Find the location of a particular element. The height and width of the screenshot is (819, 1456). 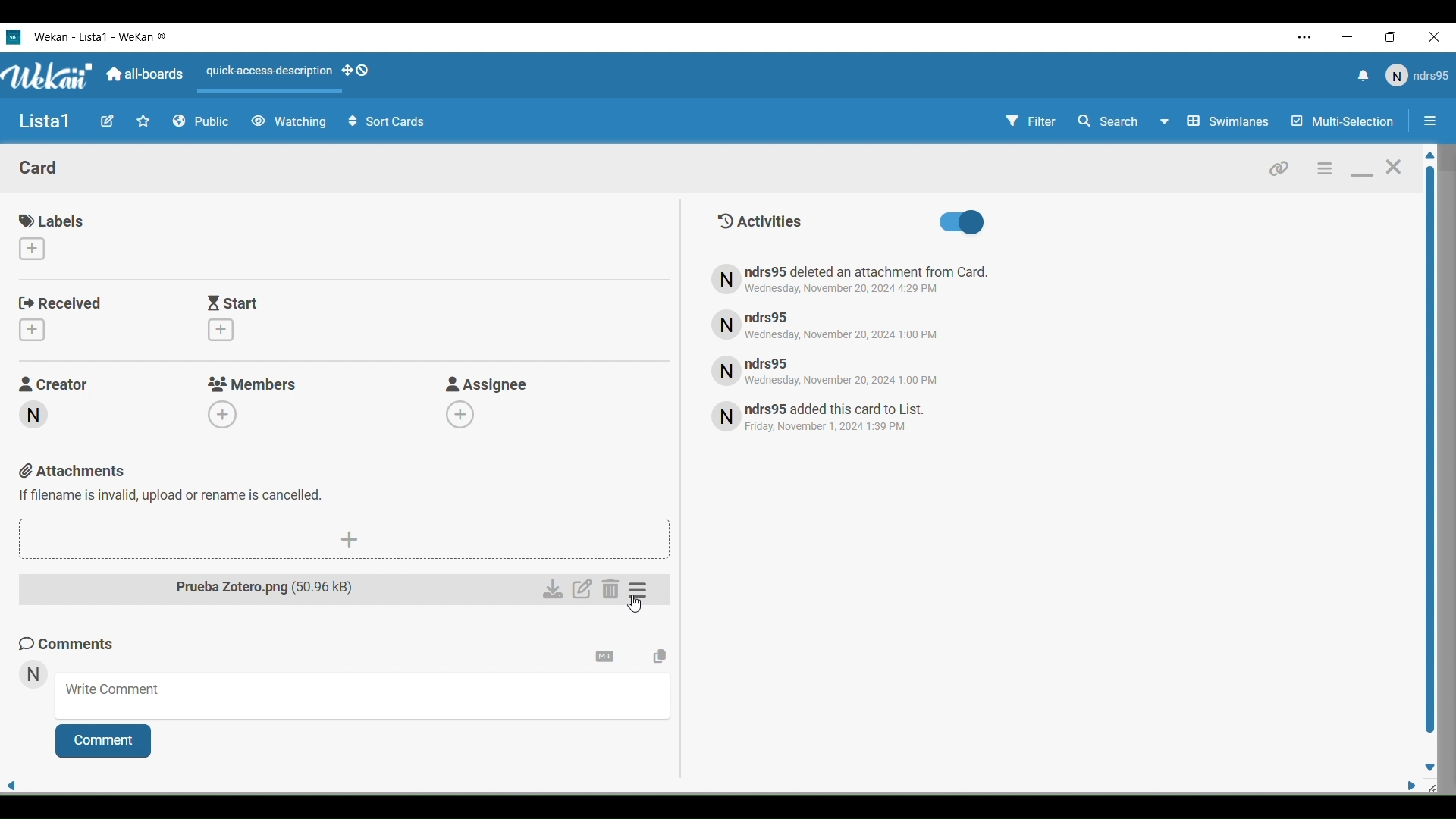

Creator is located at coordinates (56, 382).